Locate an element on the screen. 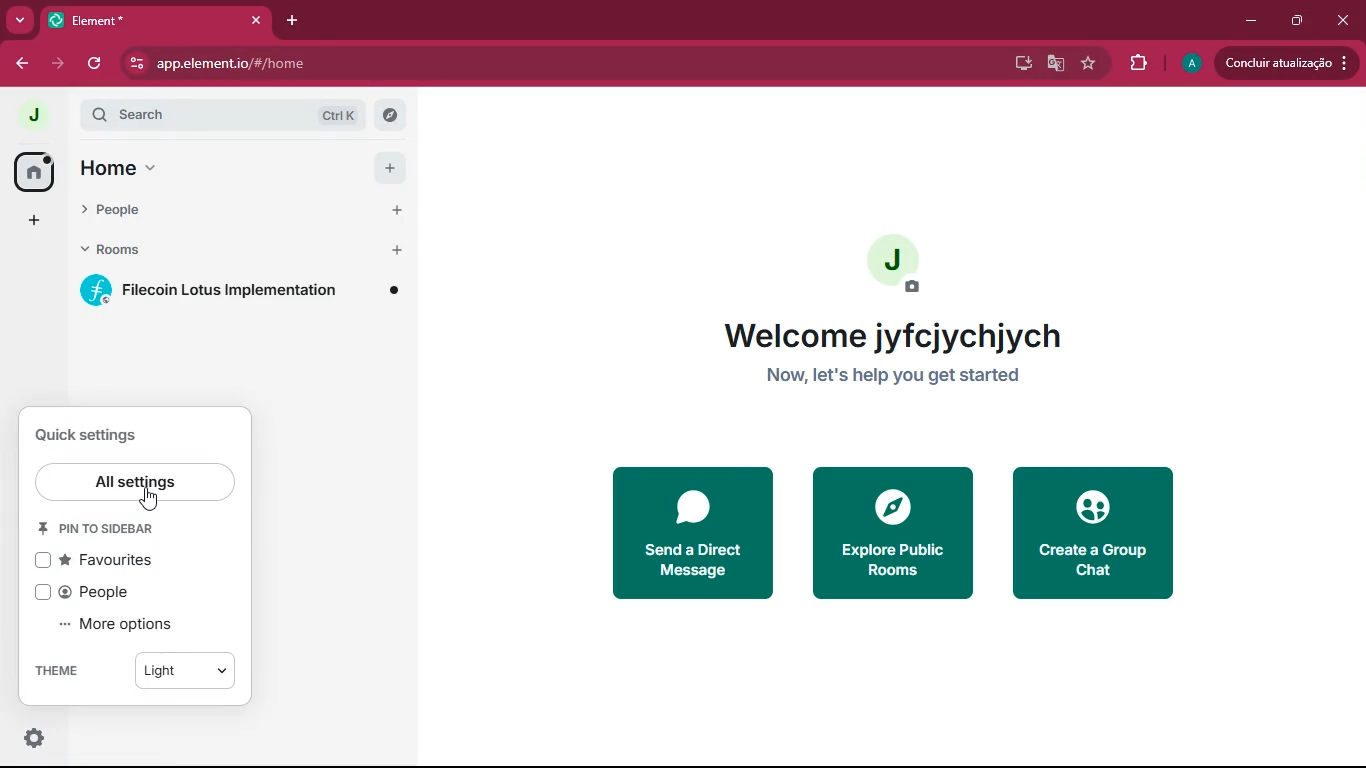 The image size is (1366, 768). explore is located at coordinates (389, 116).